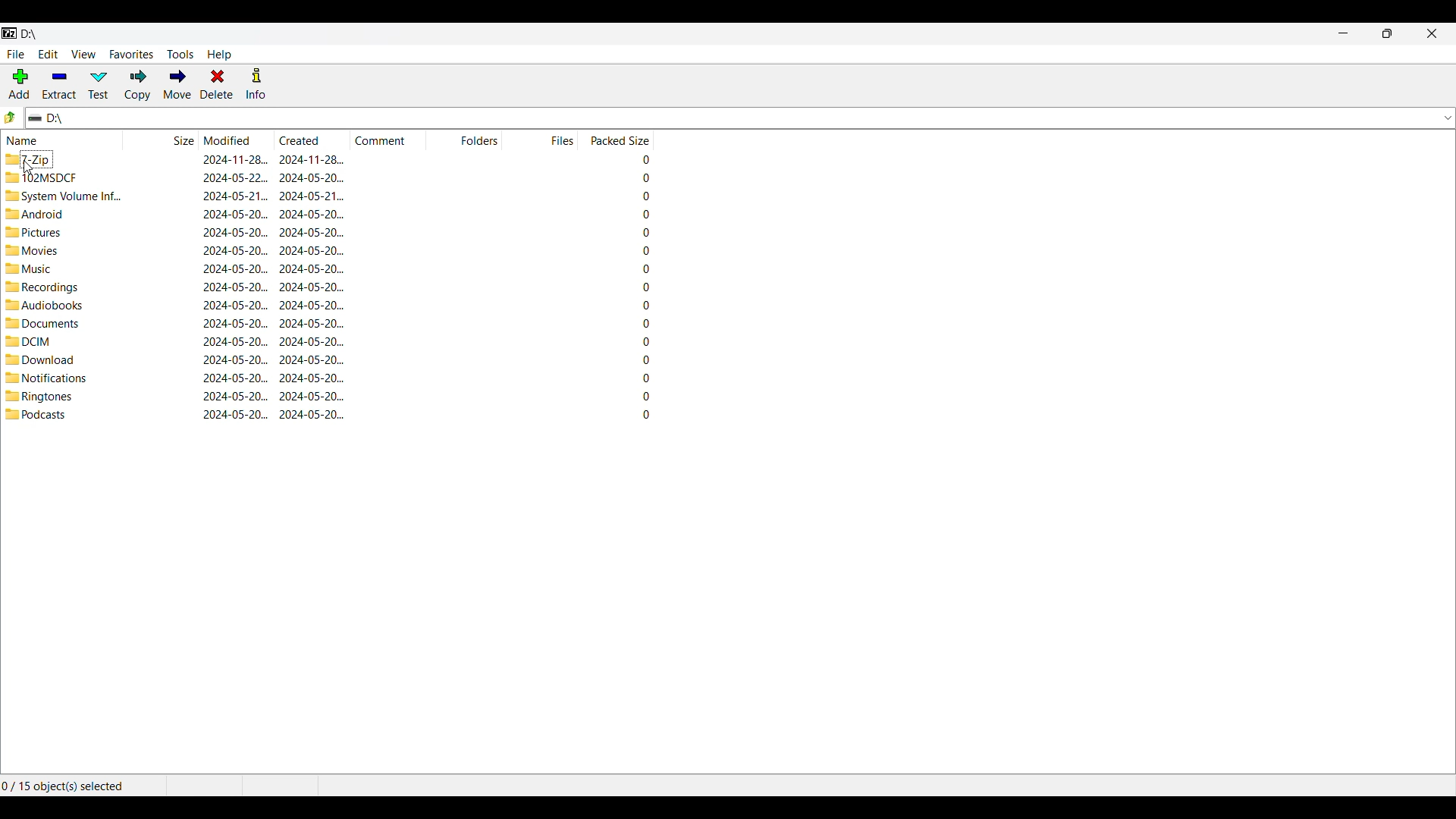 The height and width of the screenshot is (819, 1456). Describe the element at coordinates (236, 413) in the screenshot. I see `modified date & time` at that location.